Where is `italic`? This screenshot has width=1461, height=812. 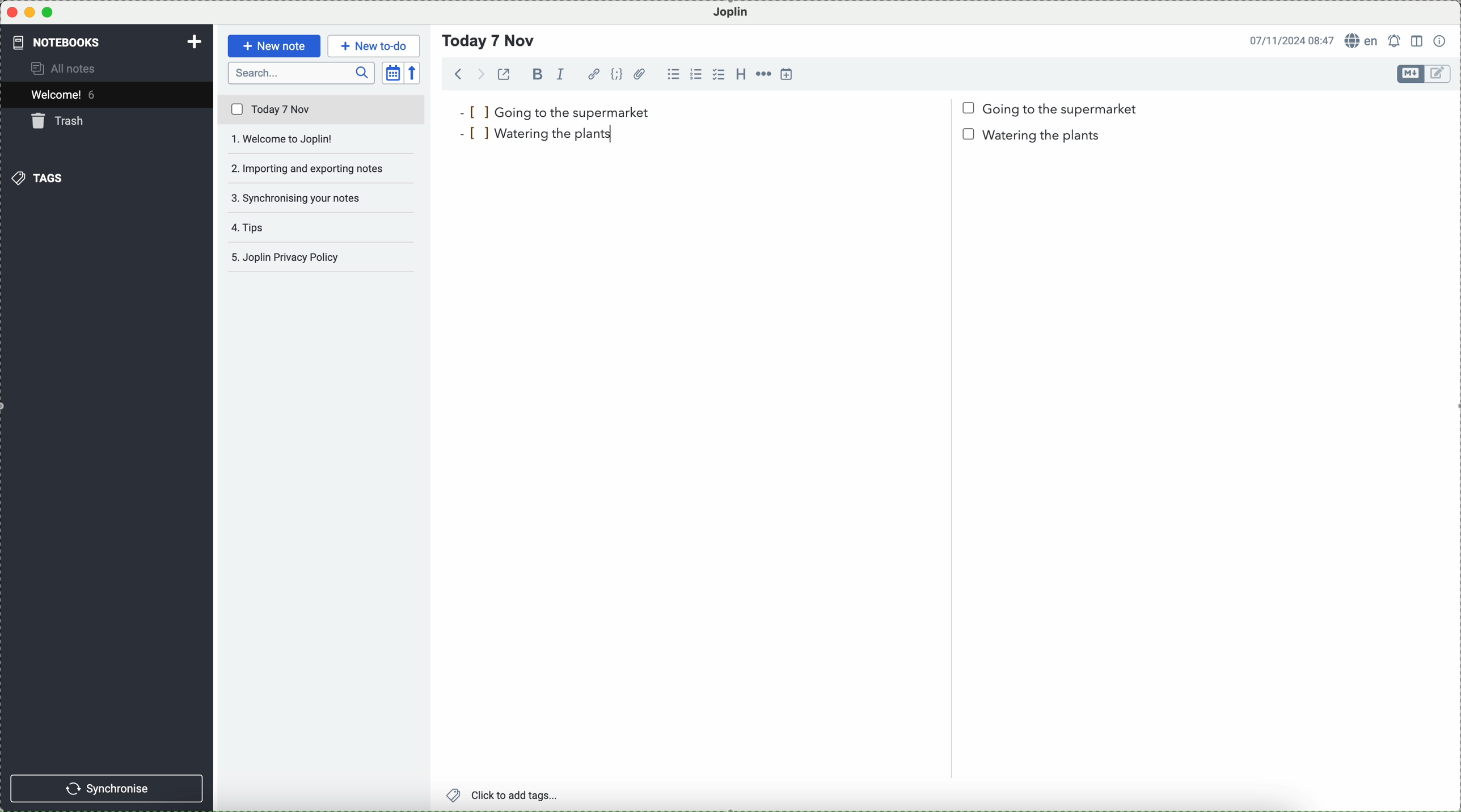 italic is located at coordinates (561, 74).